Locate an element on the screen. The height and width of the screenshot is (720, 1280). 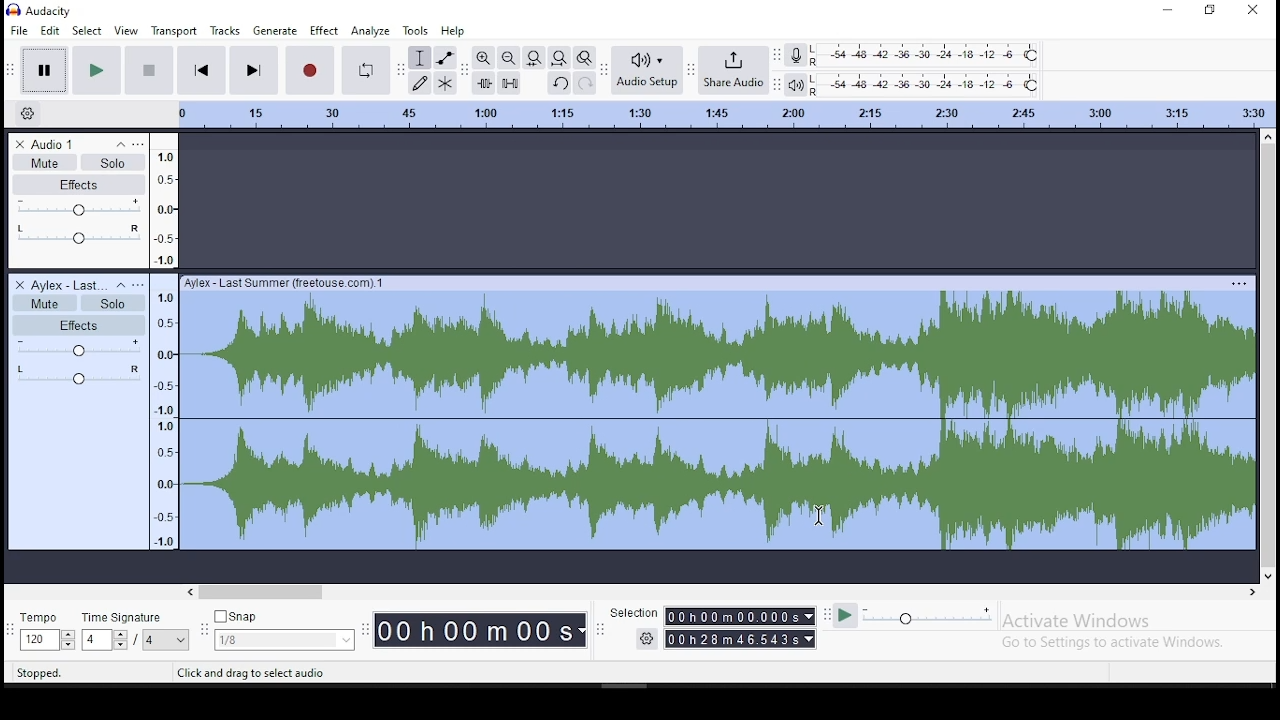
scroll bar is located at coordinates (732, 589).